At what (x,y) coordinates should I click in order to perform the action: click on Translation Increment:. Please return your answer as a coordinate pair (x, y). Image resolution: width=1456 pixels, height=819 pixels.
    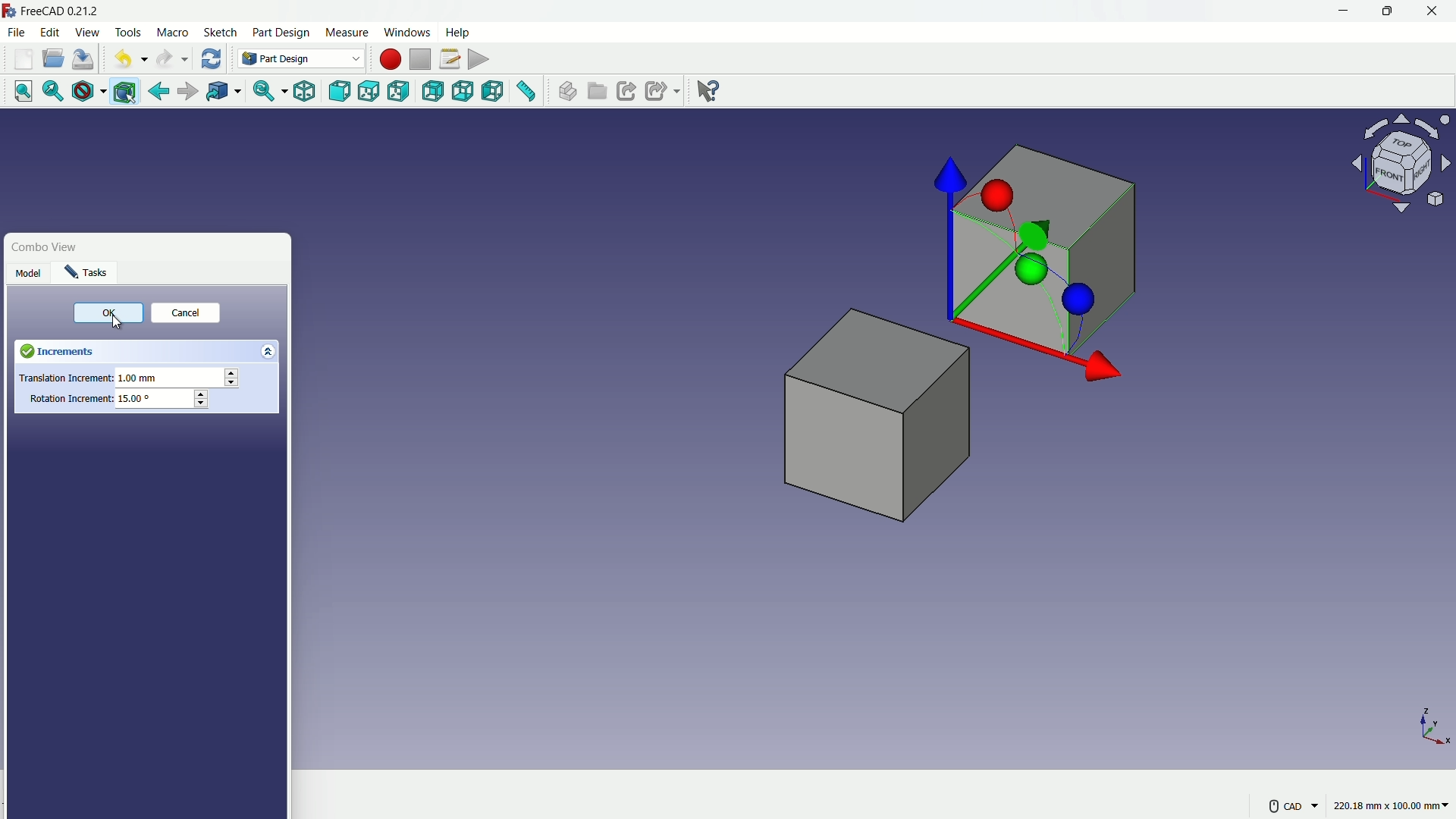
    Looking at the image, I should click on (64, 380).